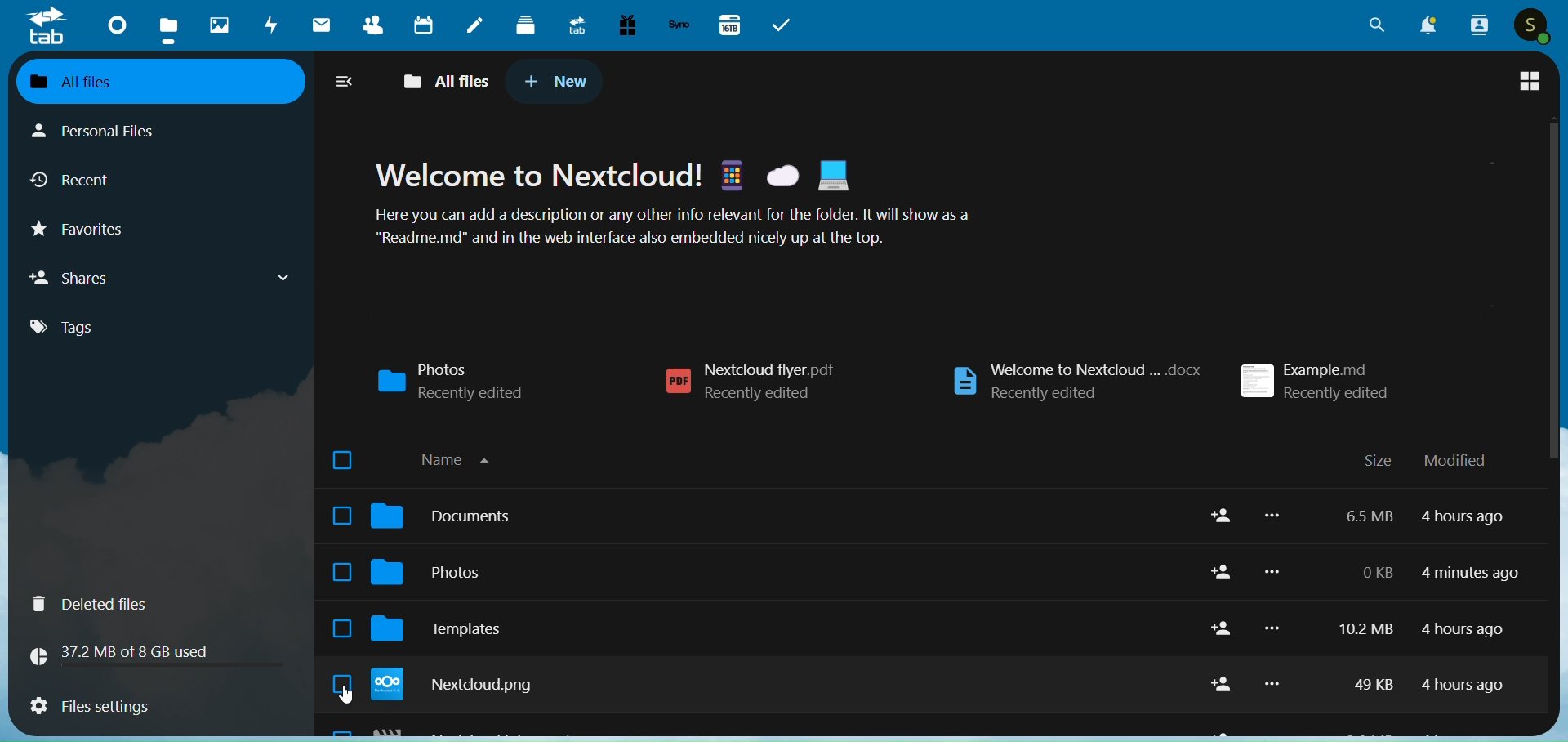  Describe the element at coordinates (1530, 25) in the screenshot. I see `user` at that location.